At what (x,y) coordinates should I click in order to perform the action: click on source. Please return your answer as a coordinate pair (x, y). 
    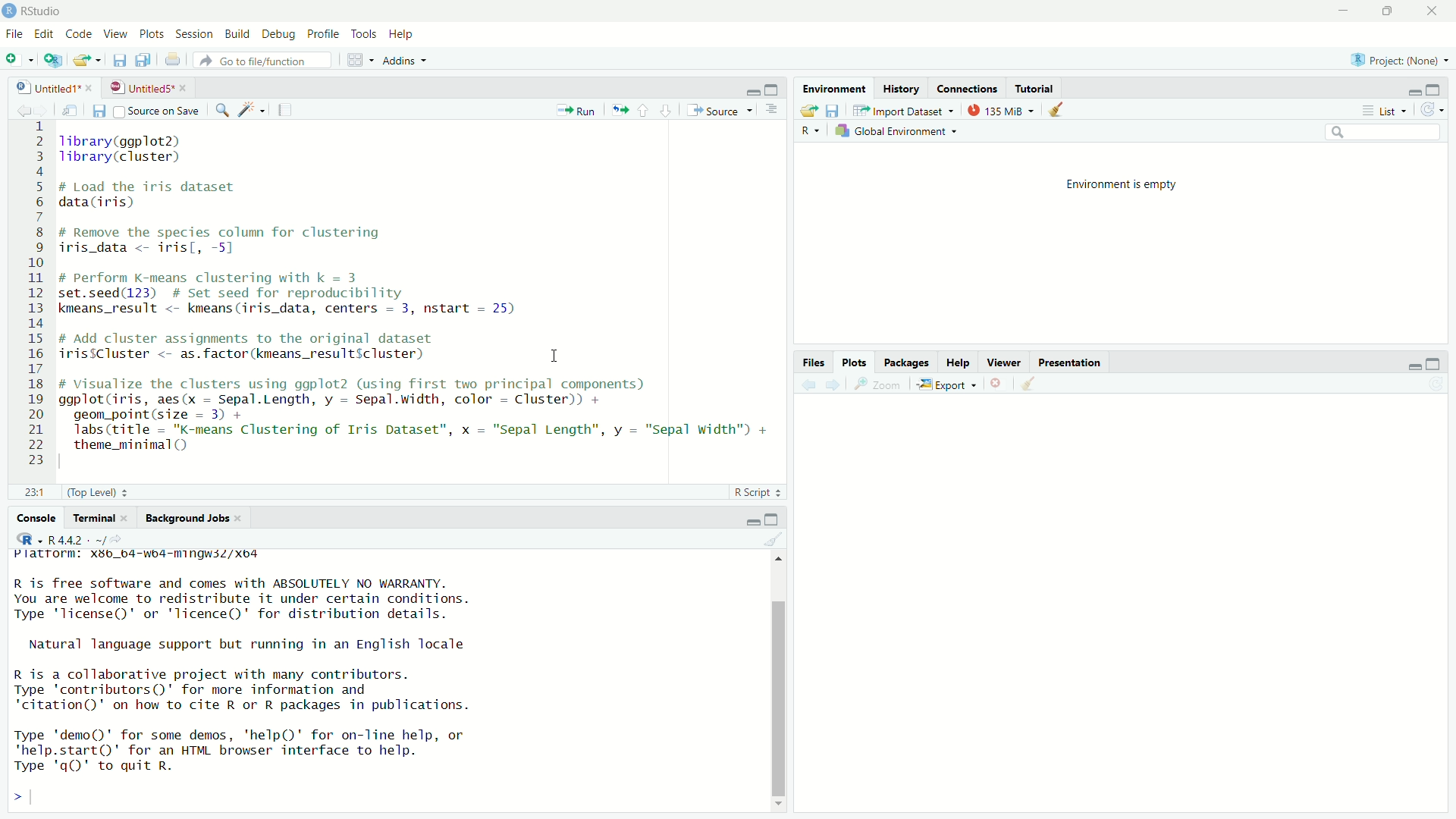
    Looking at the image, I should click on (721, 110).